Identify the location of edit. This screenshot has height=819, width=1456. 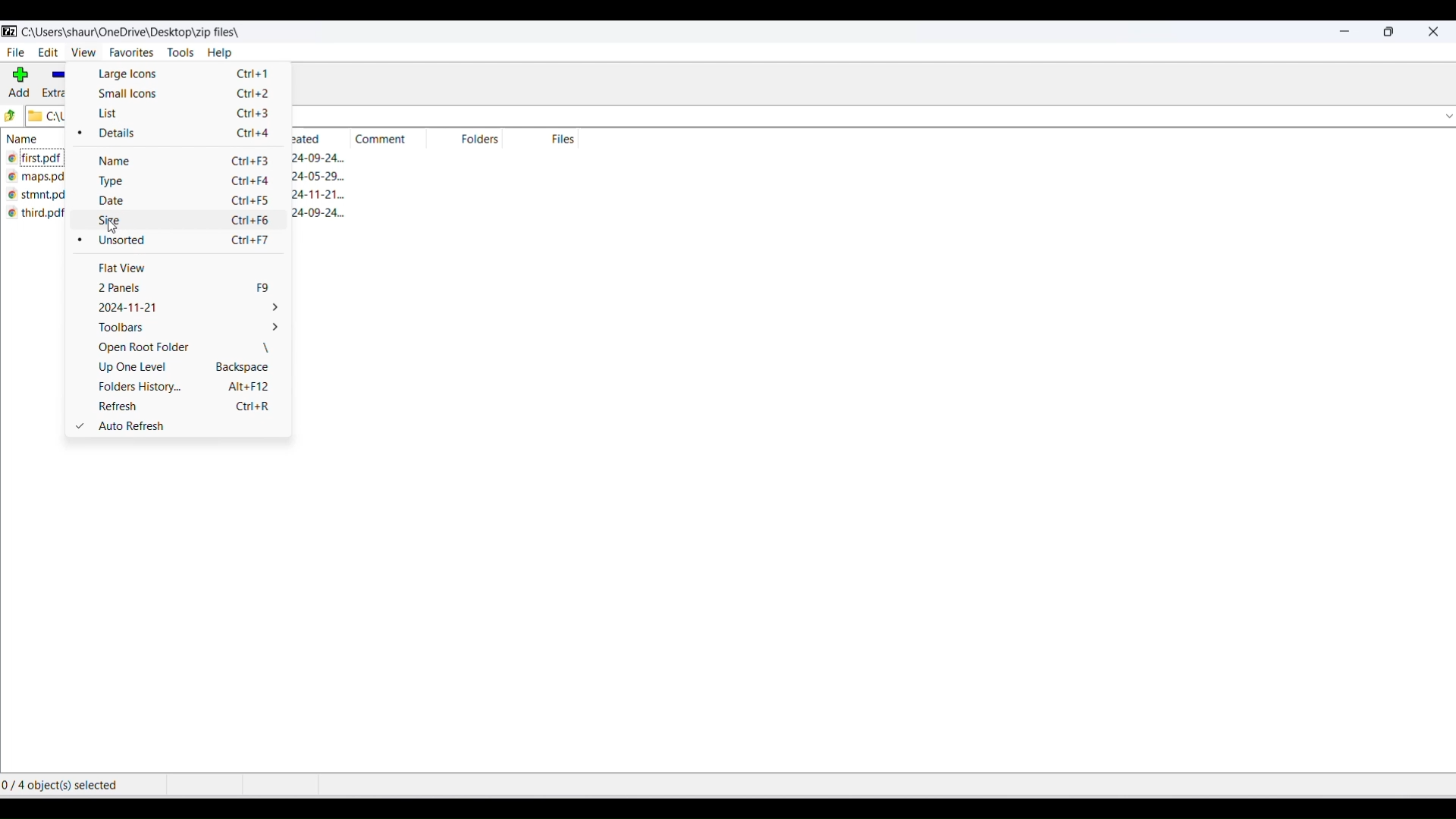
(47, 52).